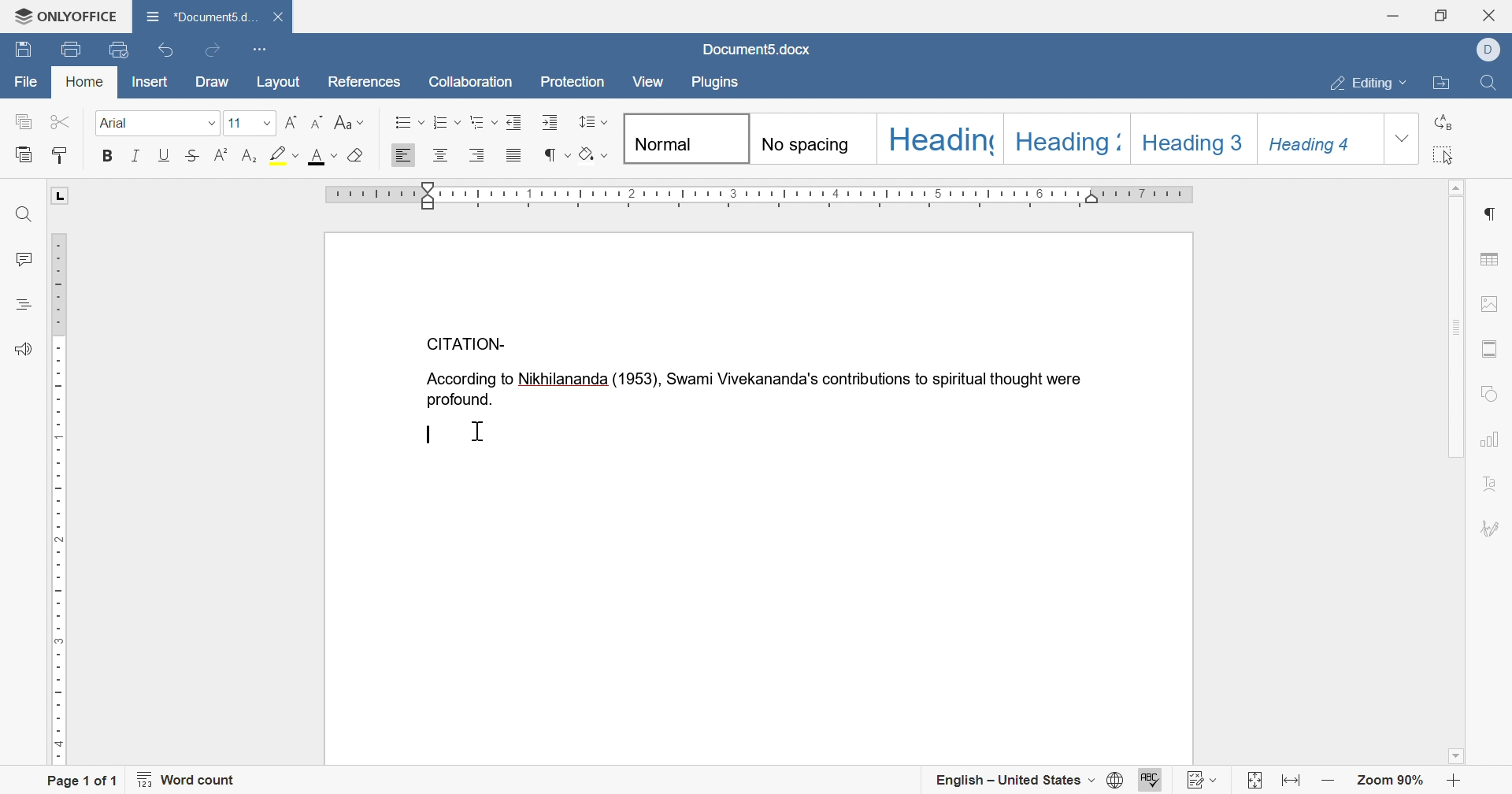 The image size is (1512, 794). What do you see at coordinates (467, 344) in the screenshot?
I see `CITATION` at bounding box center [467, 344].